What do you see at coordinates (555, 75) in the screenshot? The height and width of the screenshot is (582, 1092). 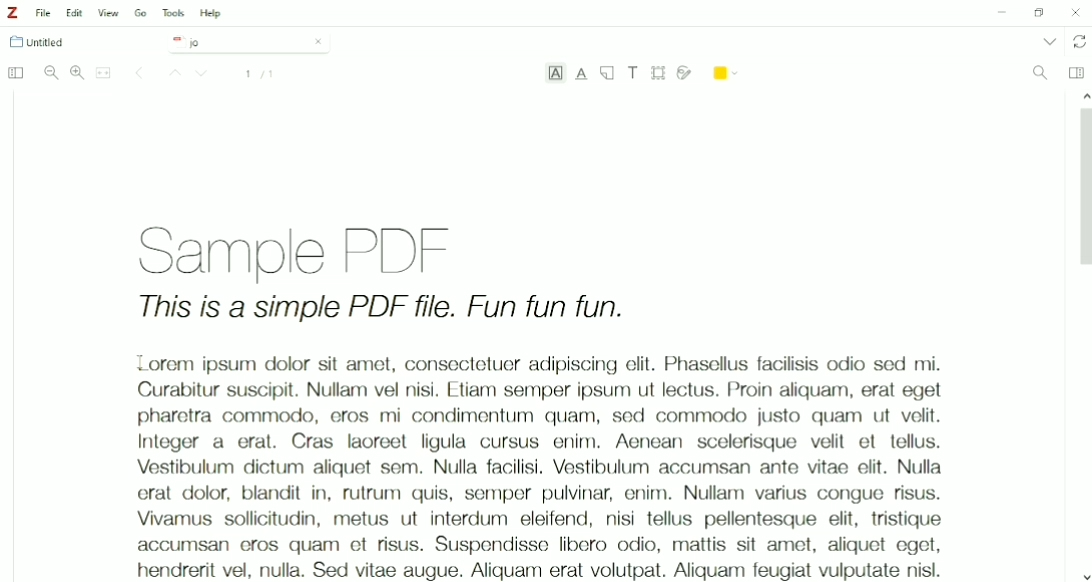 I see `Highlight Text` at bounding box center [555, 75].